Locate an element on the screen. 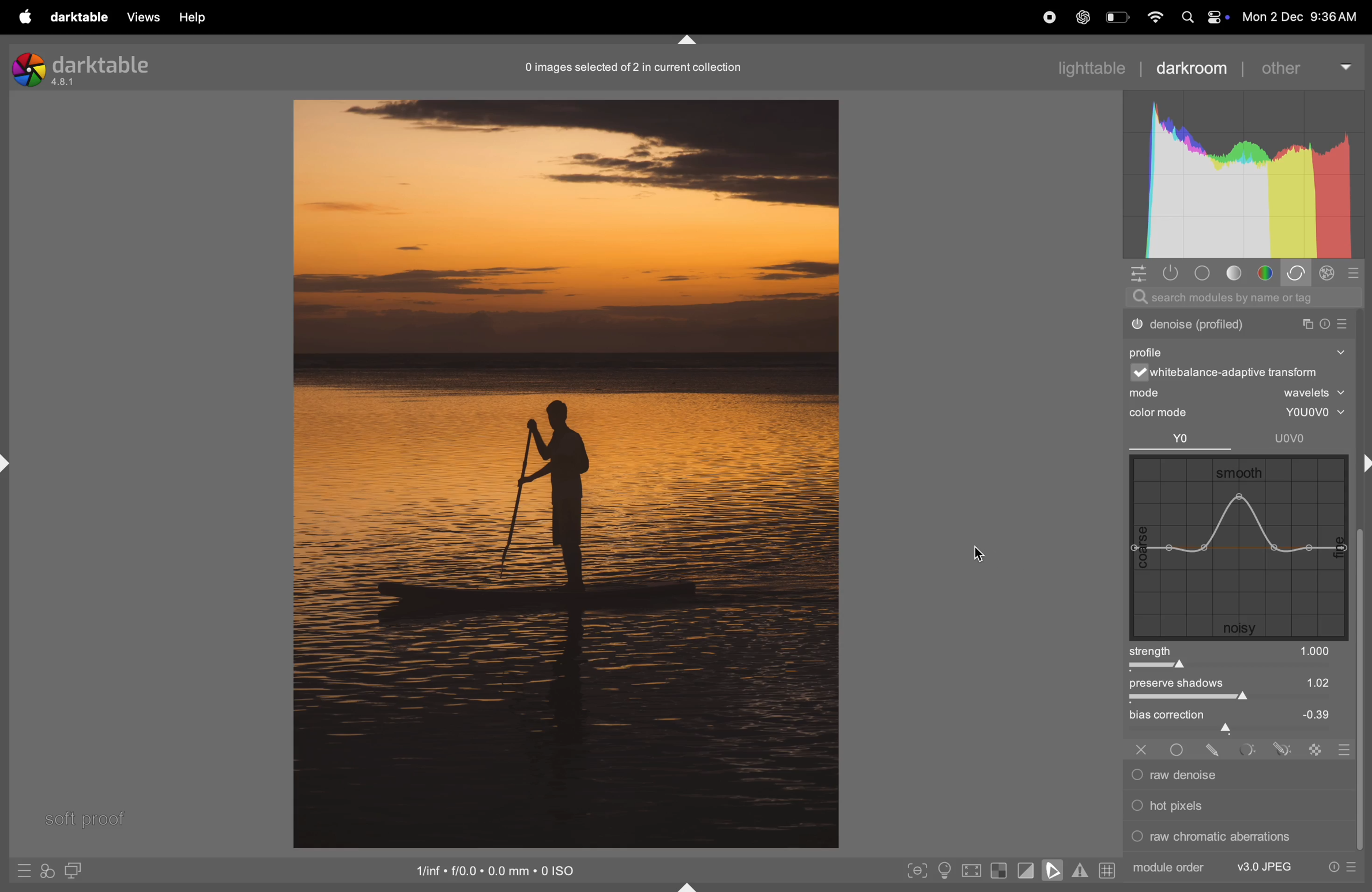 The image size is (1372, 892). image is located at coordinates (566, 472).